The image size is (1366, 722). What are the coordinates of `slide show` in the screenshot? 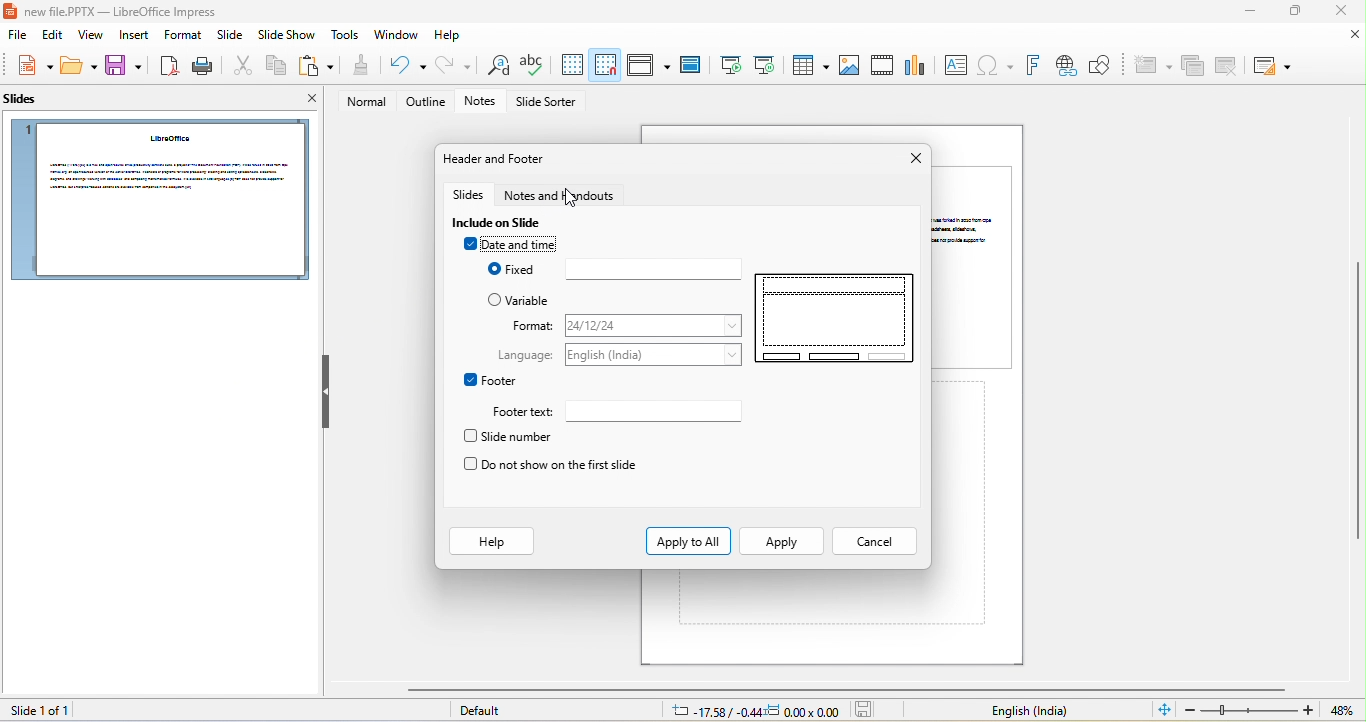 It's located at (287, 37).